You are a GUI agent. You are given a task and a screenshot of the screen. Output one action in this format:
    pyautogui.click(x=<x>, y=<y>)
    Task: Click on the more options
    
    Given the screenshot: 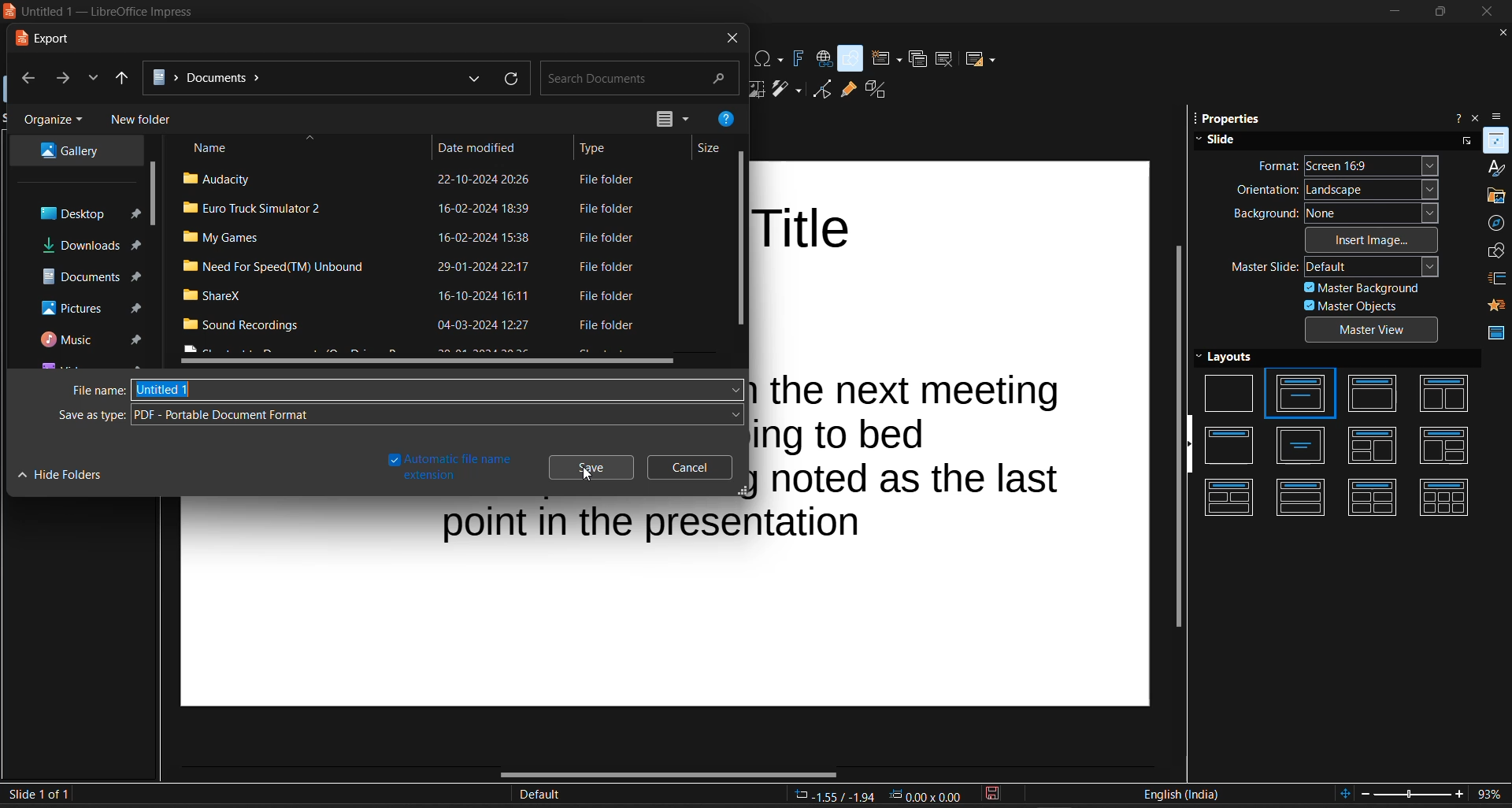 What is the action you would take?
    pyautogui.click(x=686, y=118)
    